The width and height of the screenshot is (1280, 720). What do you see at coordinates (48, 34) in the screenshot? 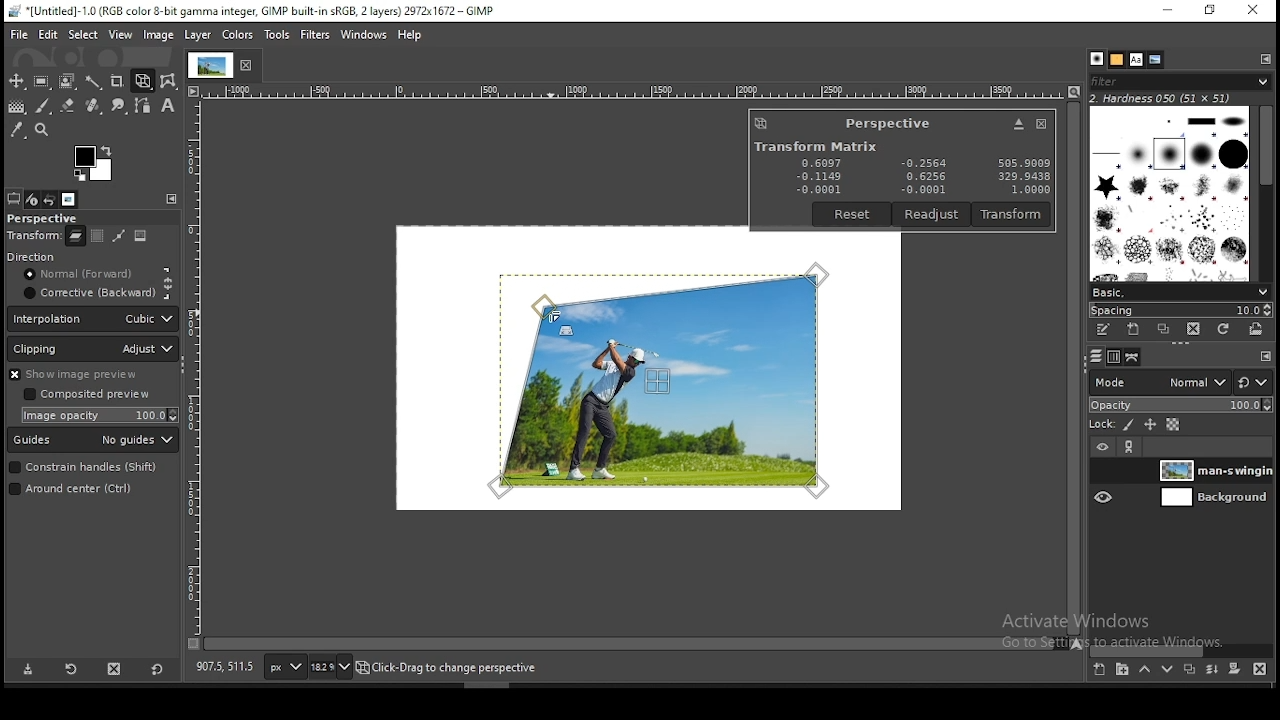
I see `edit` at bounding box center [48, 34].